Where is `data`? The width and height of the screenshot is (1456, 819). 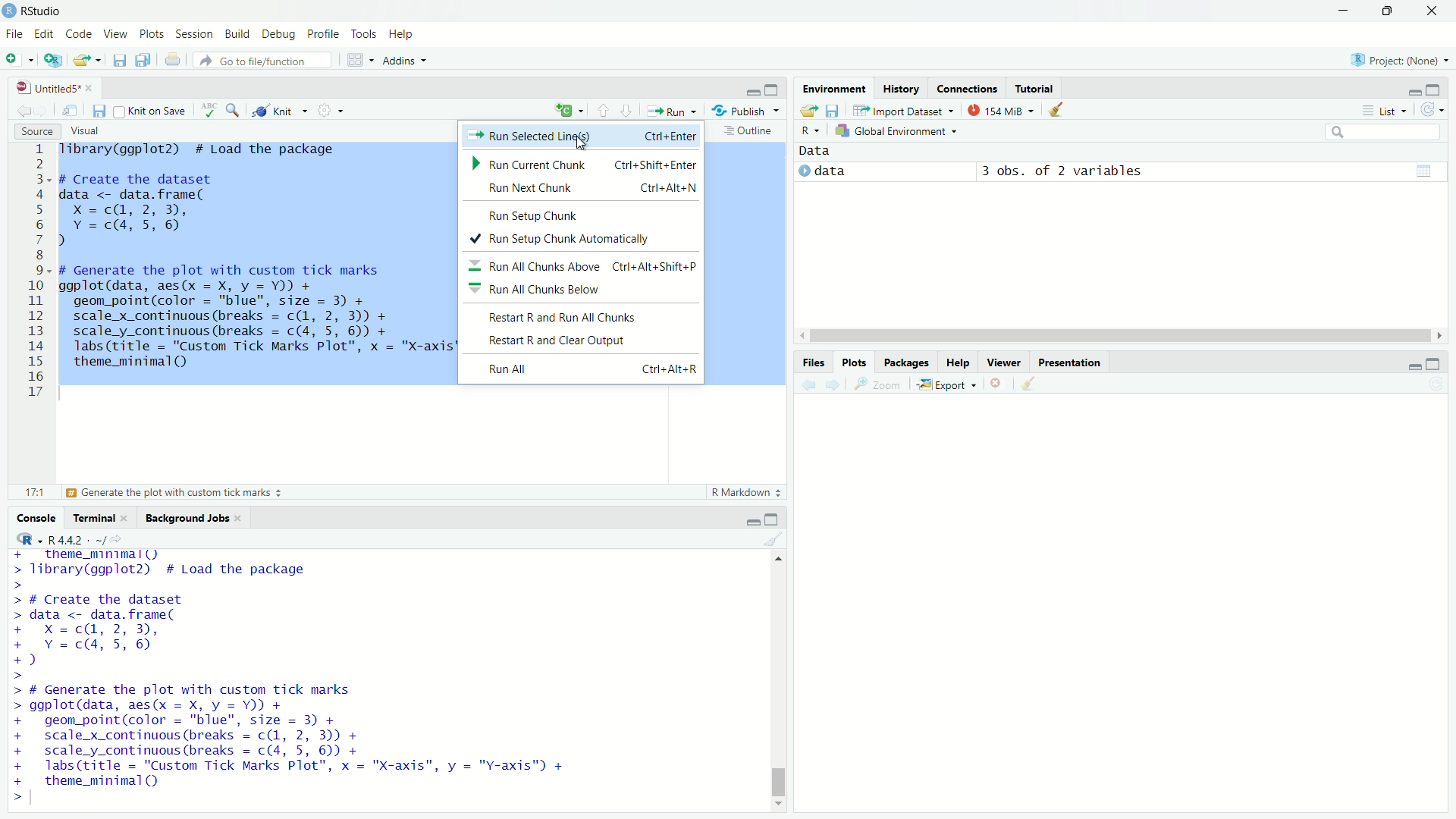 data is located at coordinates (827, 151).